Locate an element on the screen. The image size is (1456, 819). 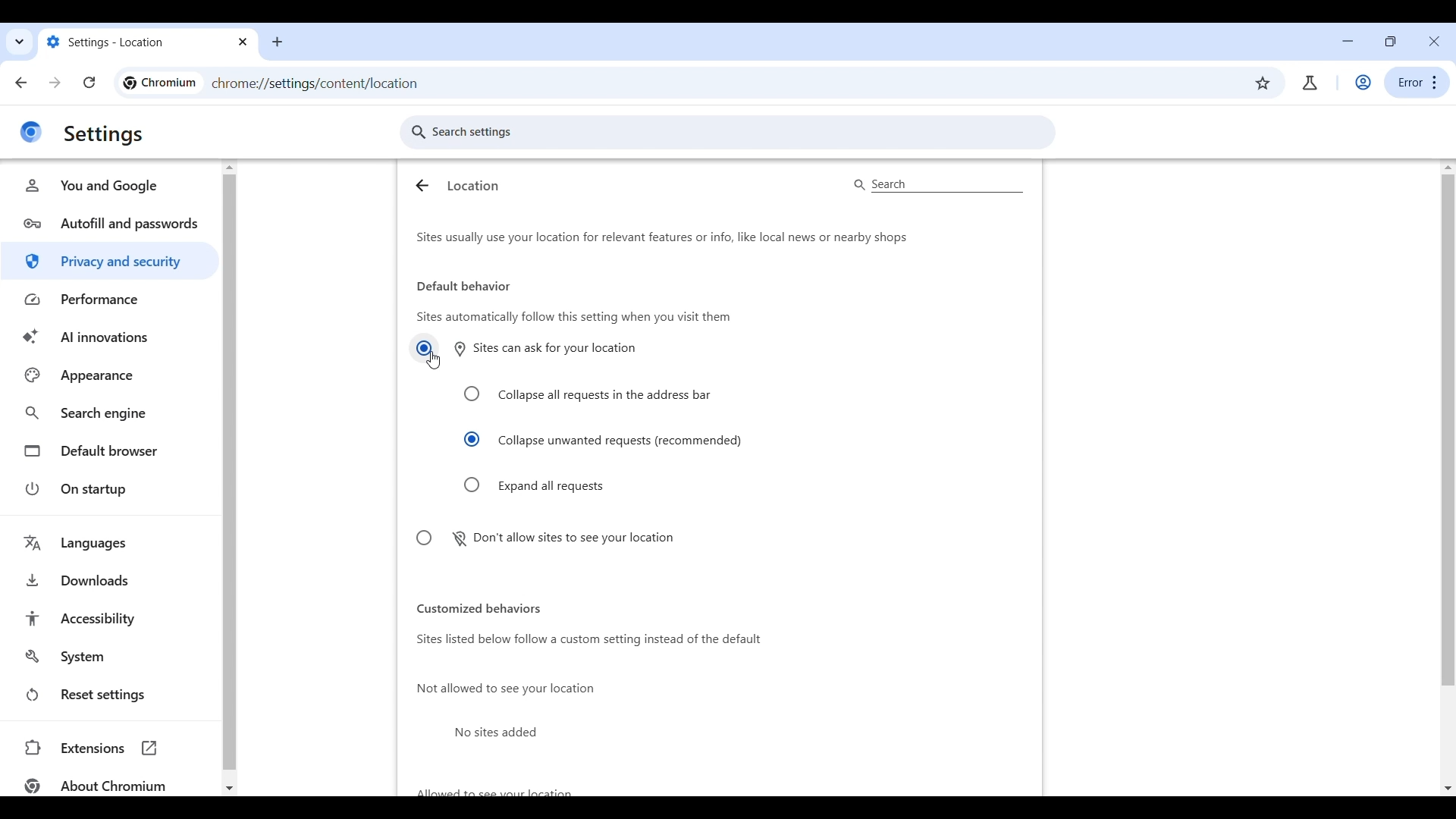
Open new tab is located at coordinates (278, 42).